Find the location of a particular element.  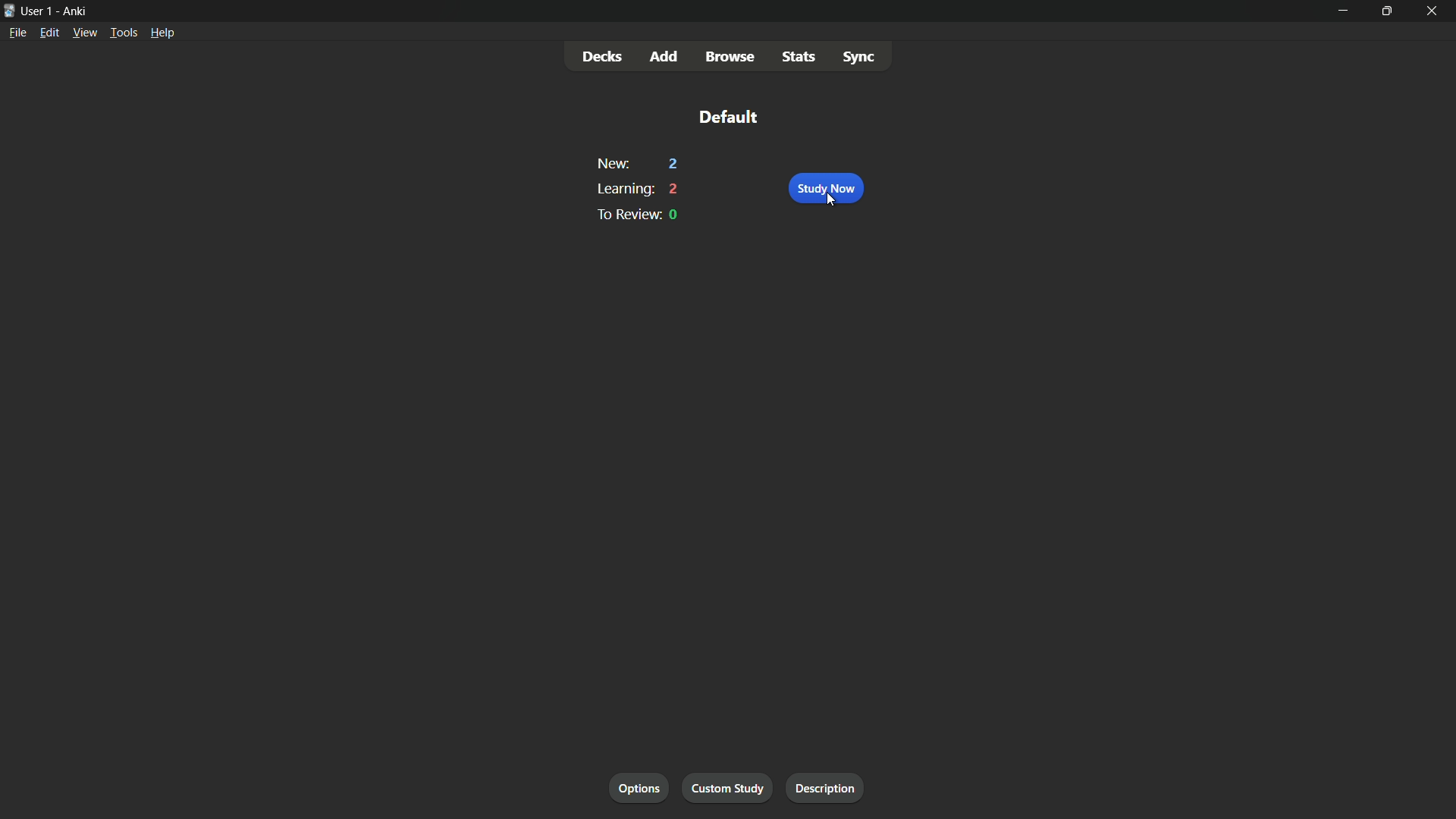

custom study is located at coordinates (729, 786).